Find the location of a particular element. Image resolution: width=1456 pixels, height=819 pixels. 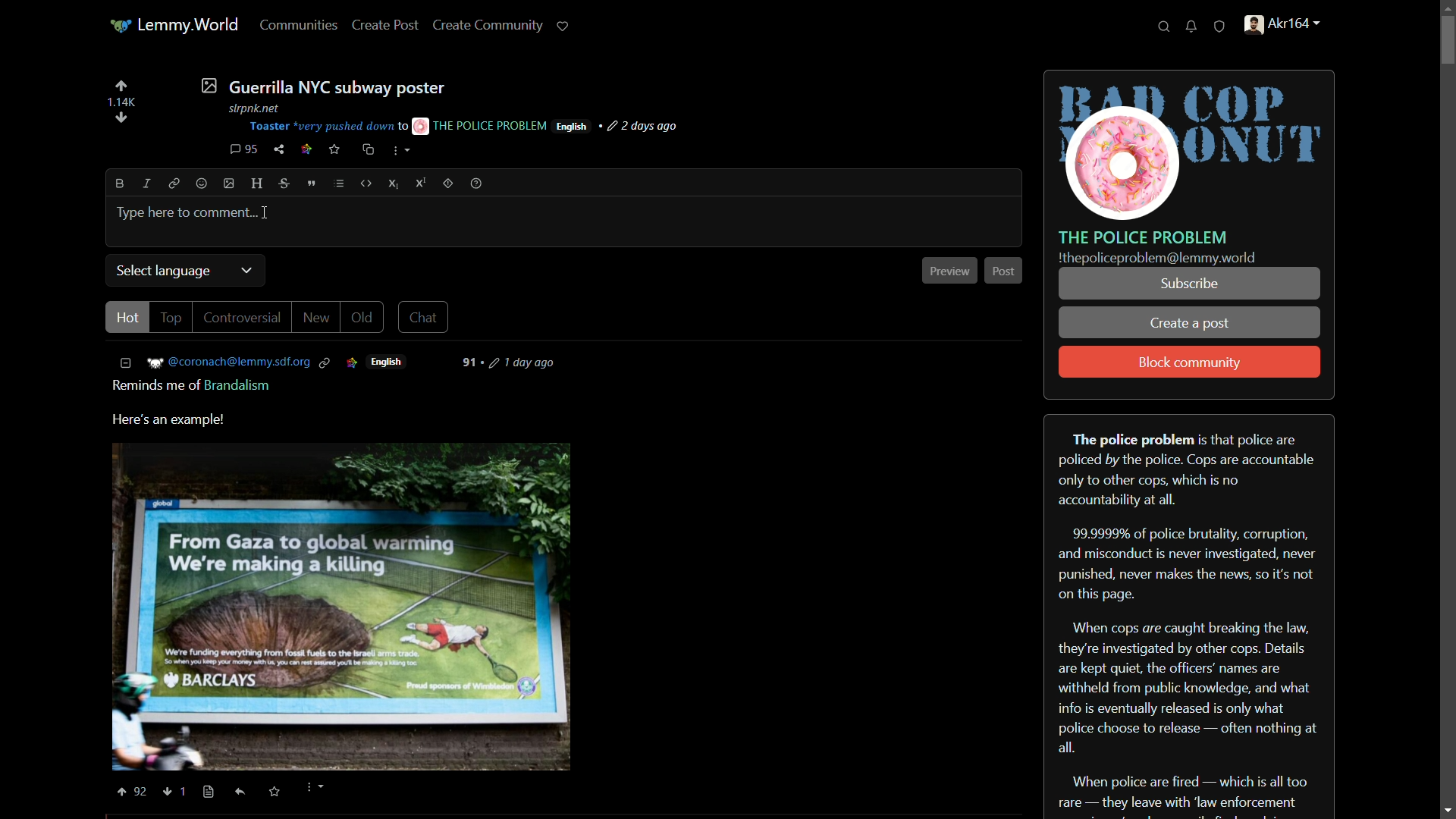

cross-post is located at coordinates (367, 149).